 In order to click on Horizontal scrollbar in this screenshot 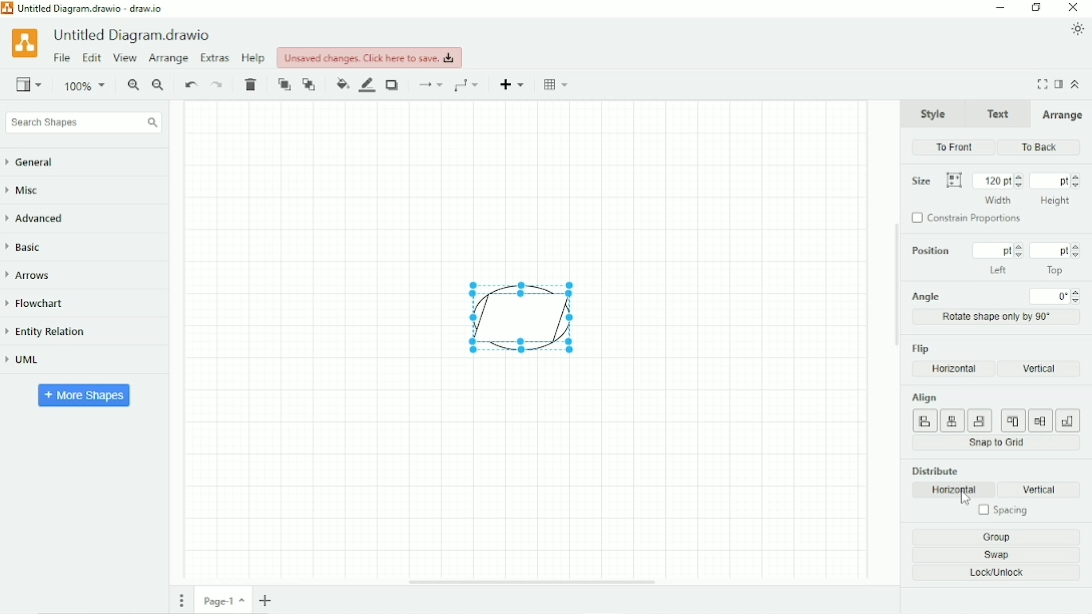, I will do `click(532, 582)`.